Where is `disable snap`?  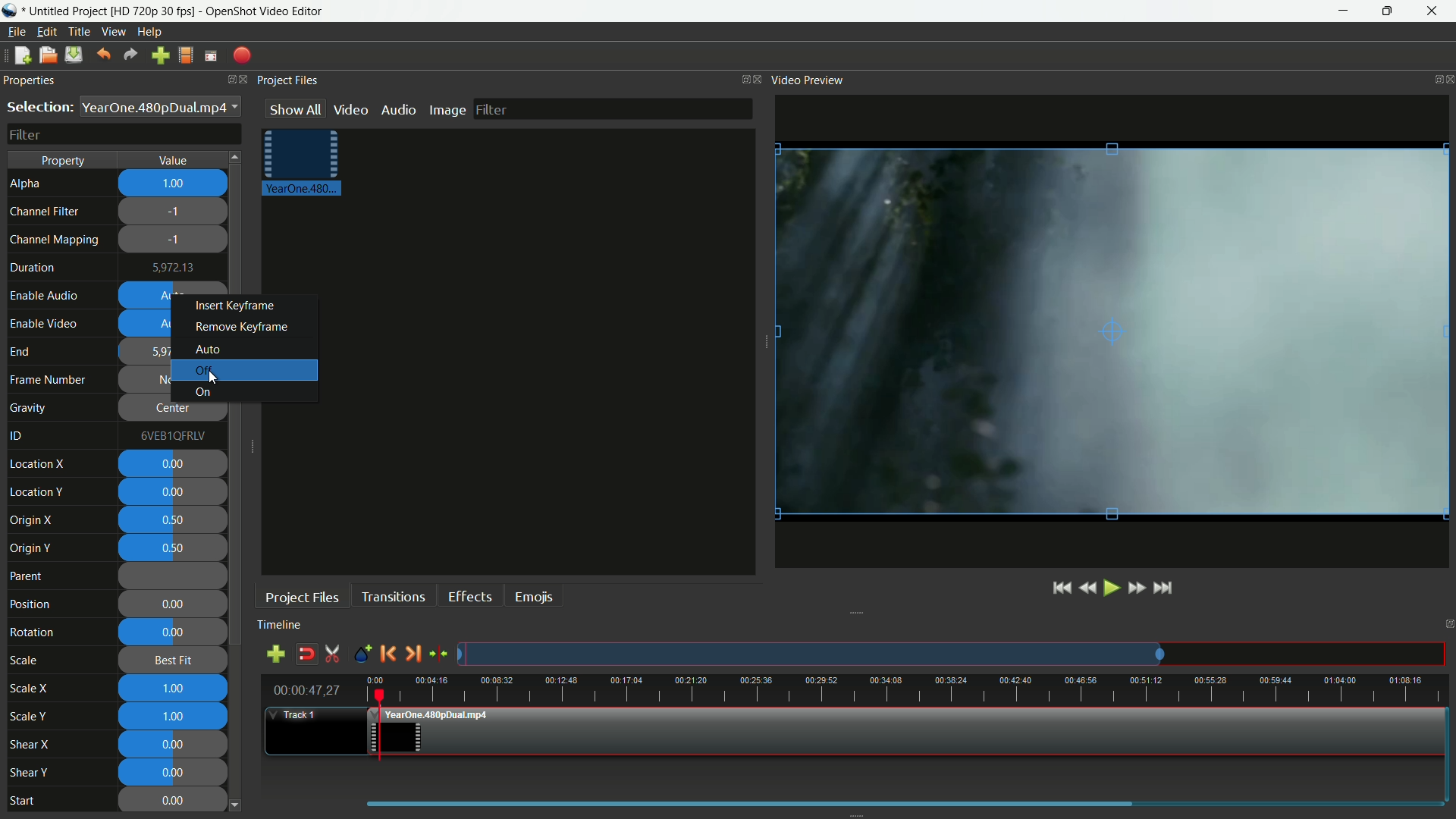
disable snap is located at coordinates (306, 654).